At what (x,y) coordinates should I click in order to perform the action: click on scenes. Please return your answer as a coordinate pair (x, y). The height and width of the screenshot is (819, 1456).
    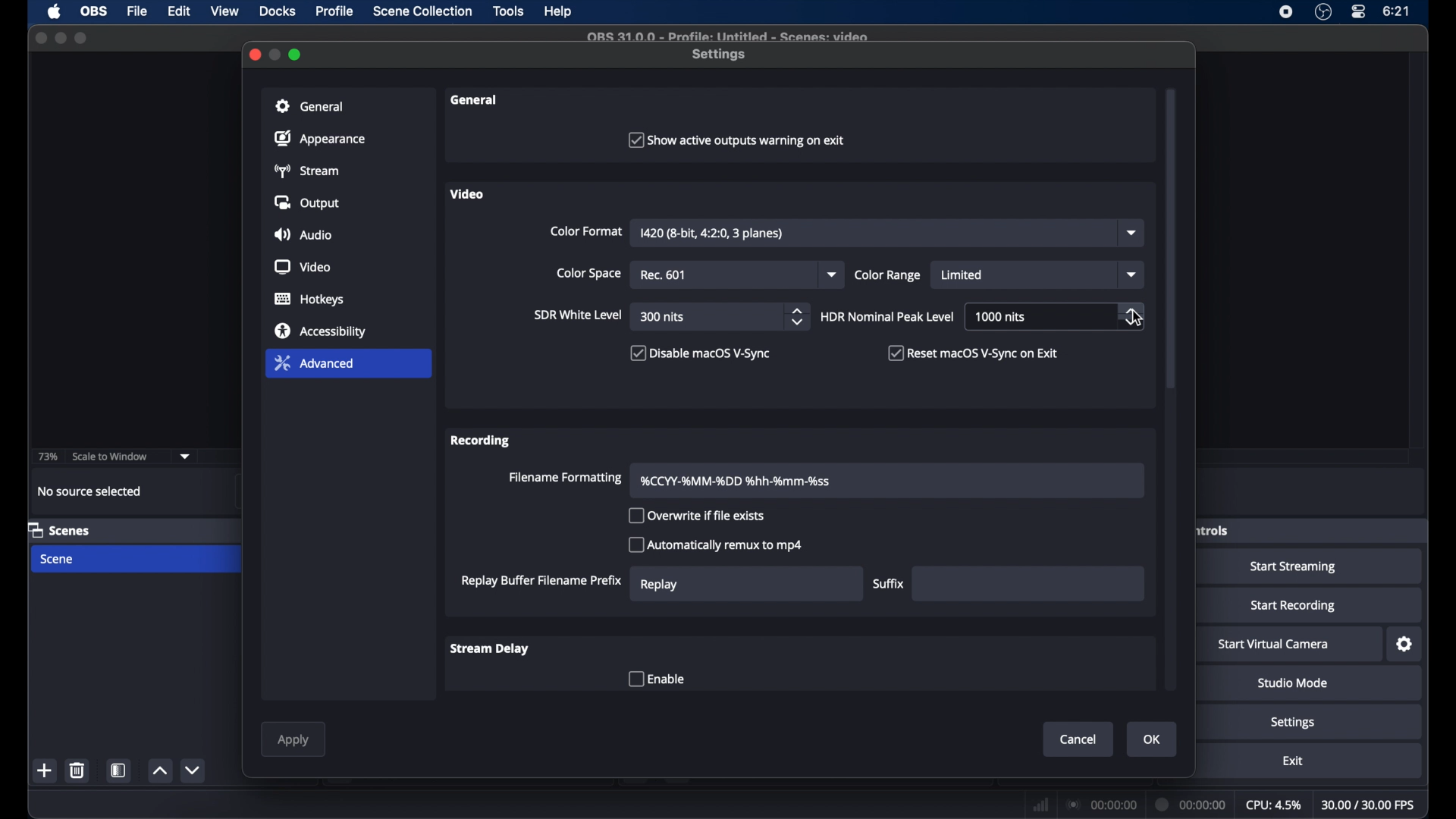
    Looking at the image, I should click on (58, 529).